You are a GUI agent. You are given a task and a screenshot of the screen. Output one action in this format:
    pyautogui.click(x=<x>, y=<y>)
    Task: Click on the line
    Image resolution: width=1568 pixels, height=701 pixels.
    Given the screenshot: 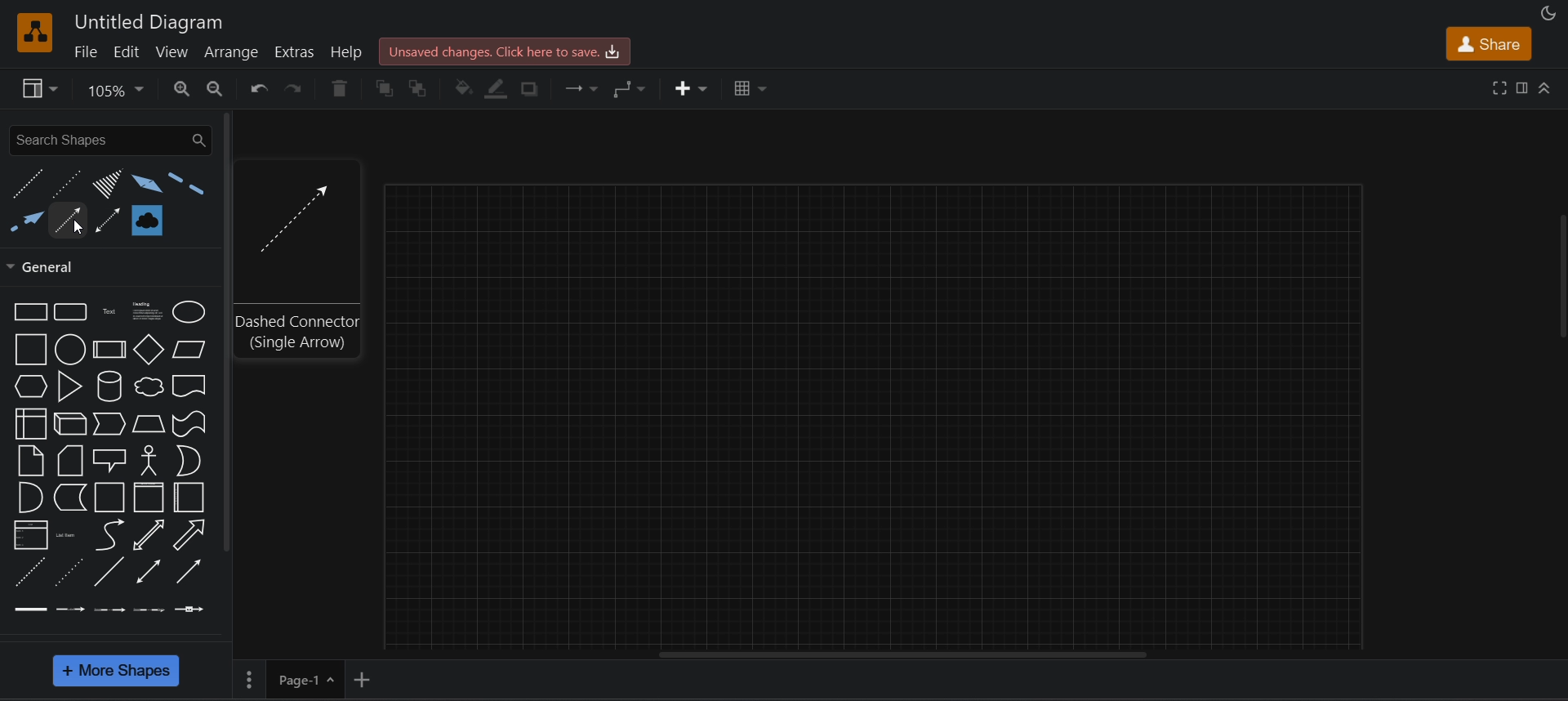 What is the action you would take?
    pyautogui.click(x=108, y=571)
    